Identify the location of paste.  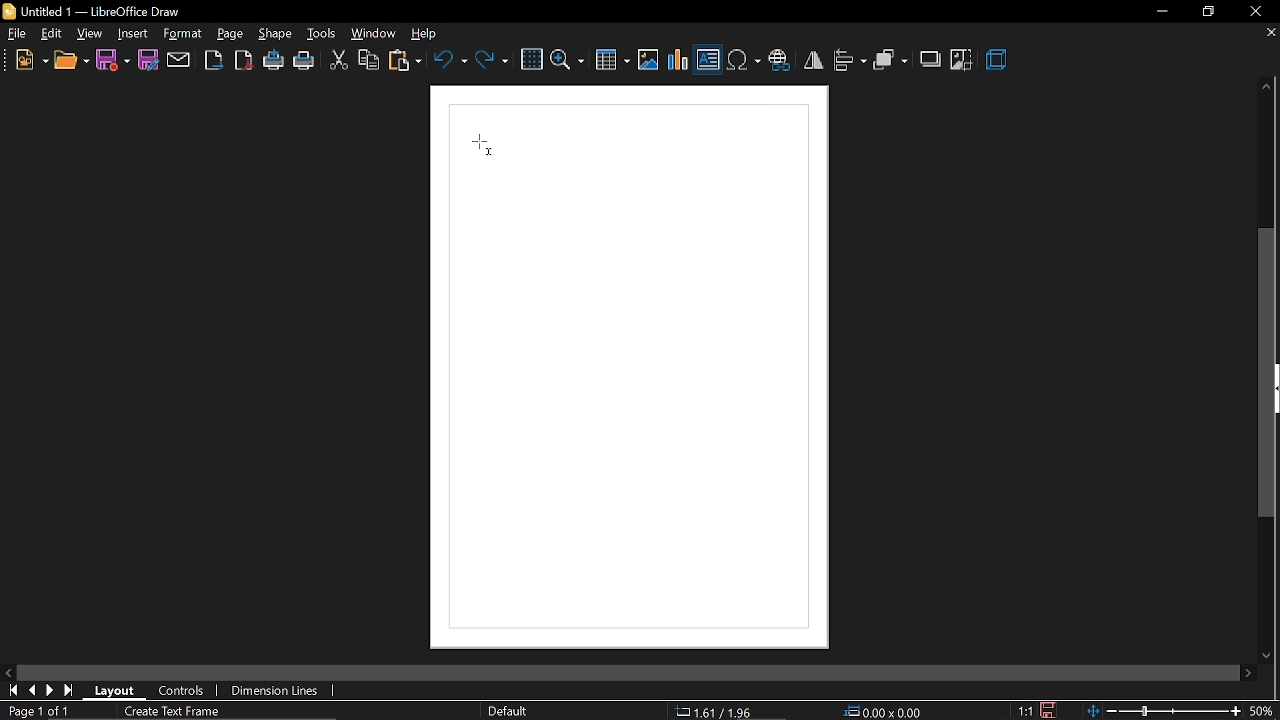
(406, 63).